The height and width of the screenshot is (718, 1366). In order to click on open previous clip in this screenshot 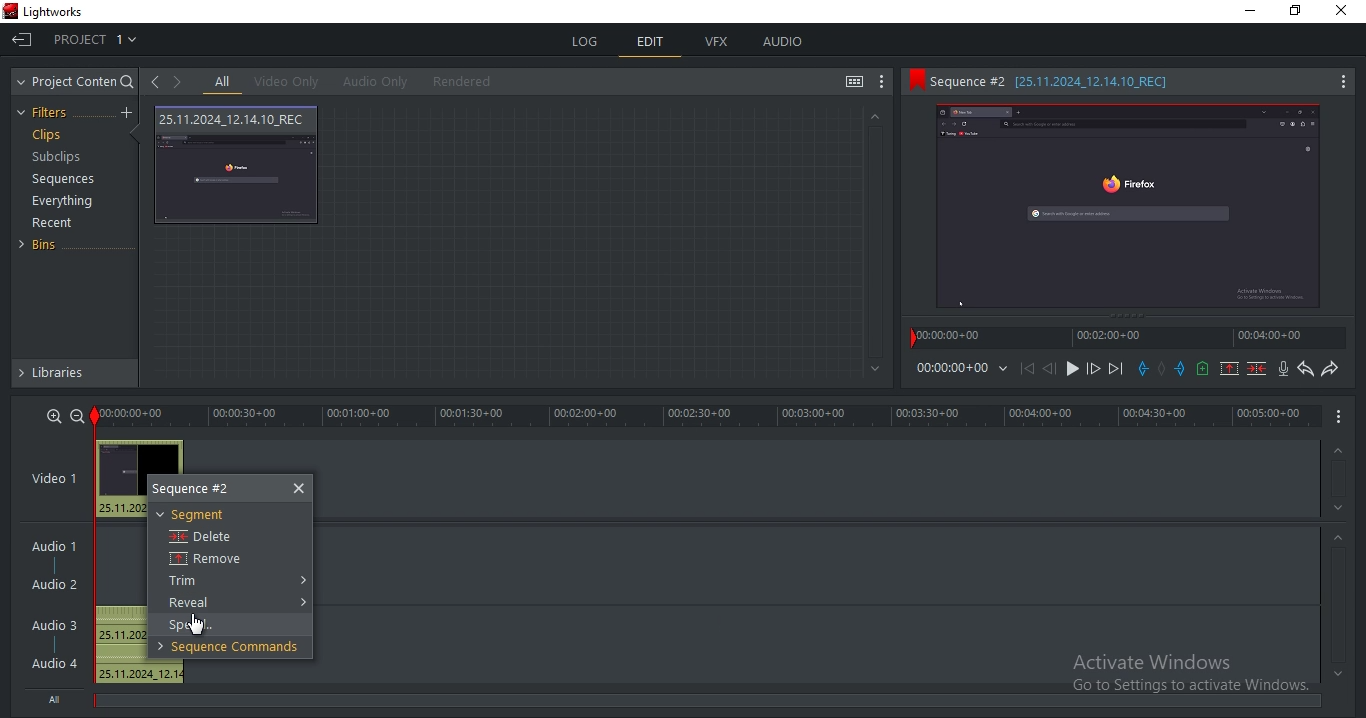, I will do `click(155, 82)`.